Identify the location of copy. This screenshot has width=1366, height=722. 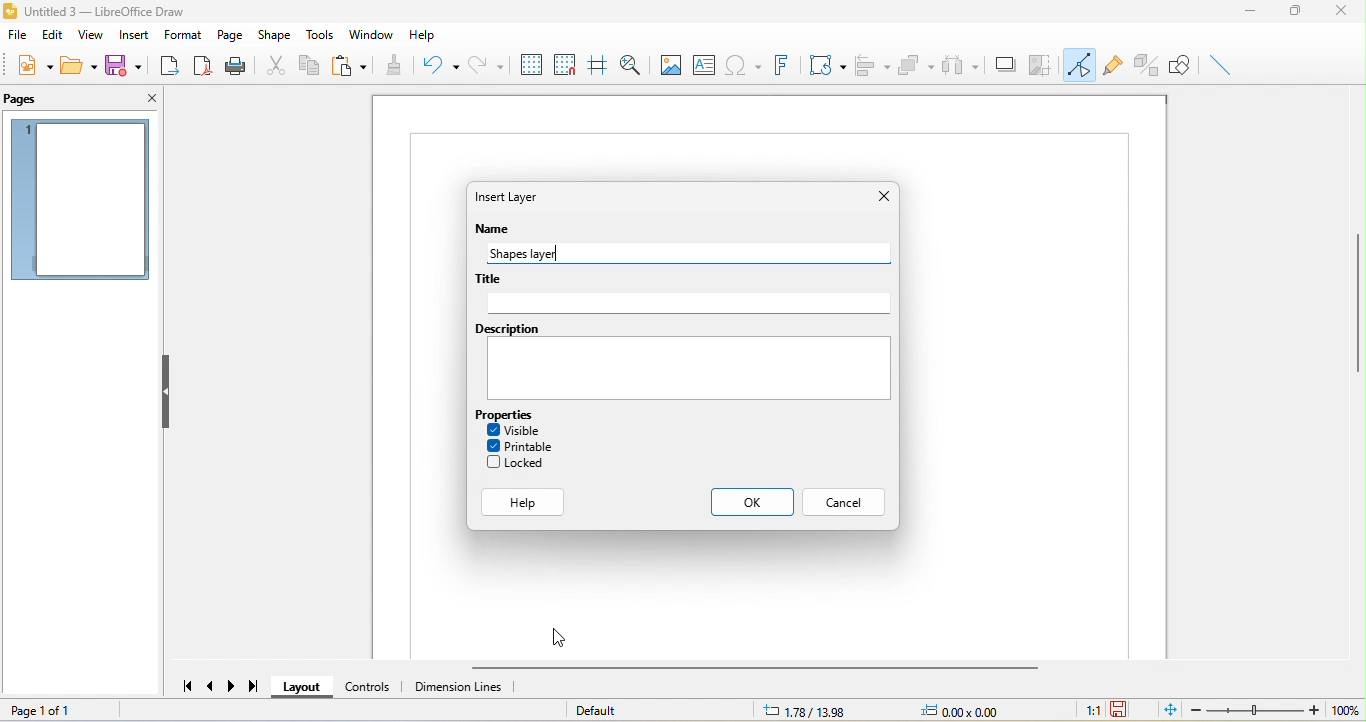
(310, 65).